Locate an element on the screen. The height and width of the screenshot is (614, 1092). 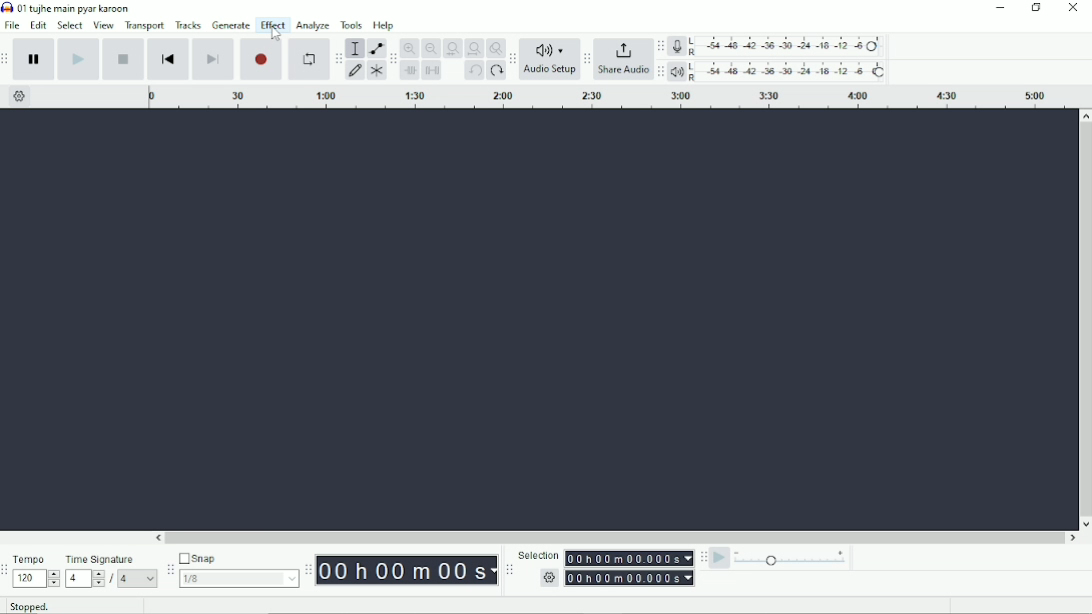
Stop is located at coordinates (124, 60).